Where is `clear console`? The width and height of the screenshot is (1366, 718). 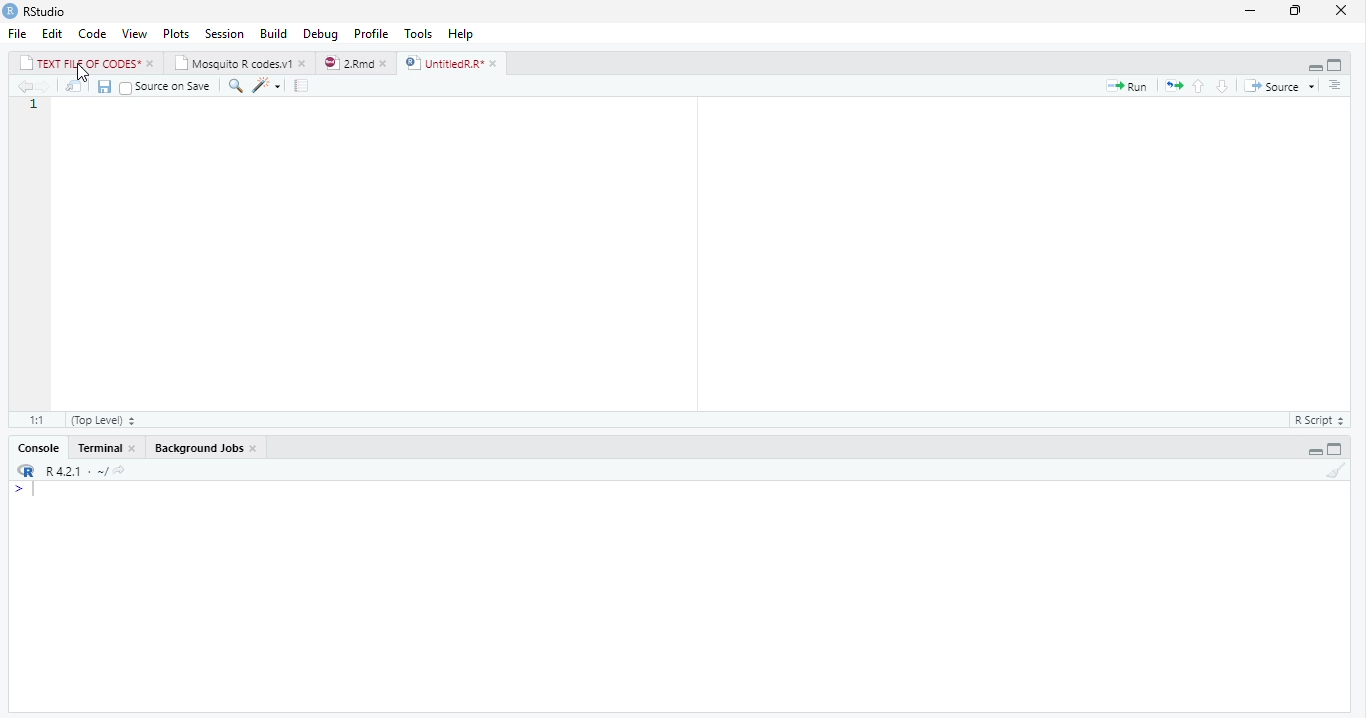 clear console is located at coordinates (1336, 471).